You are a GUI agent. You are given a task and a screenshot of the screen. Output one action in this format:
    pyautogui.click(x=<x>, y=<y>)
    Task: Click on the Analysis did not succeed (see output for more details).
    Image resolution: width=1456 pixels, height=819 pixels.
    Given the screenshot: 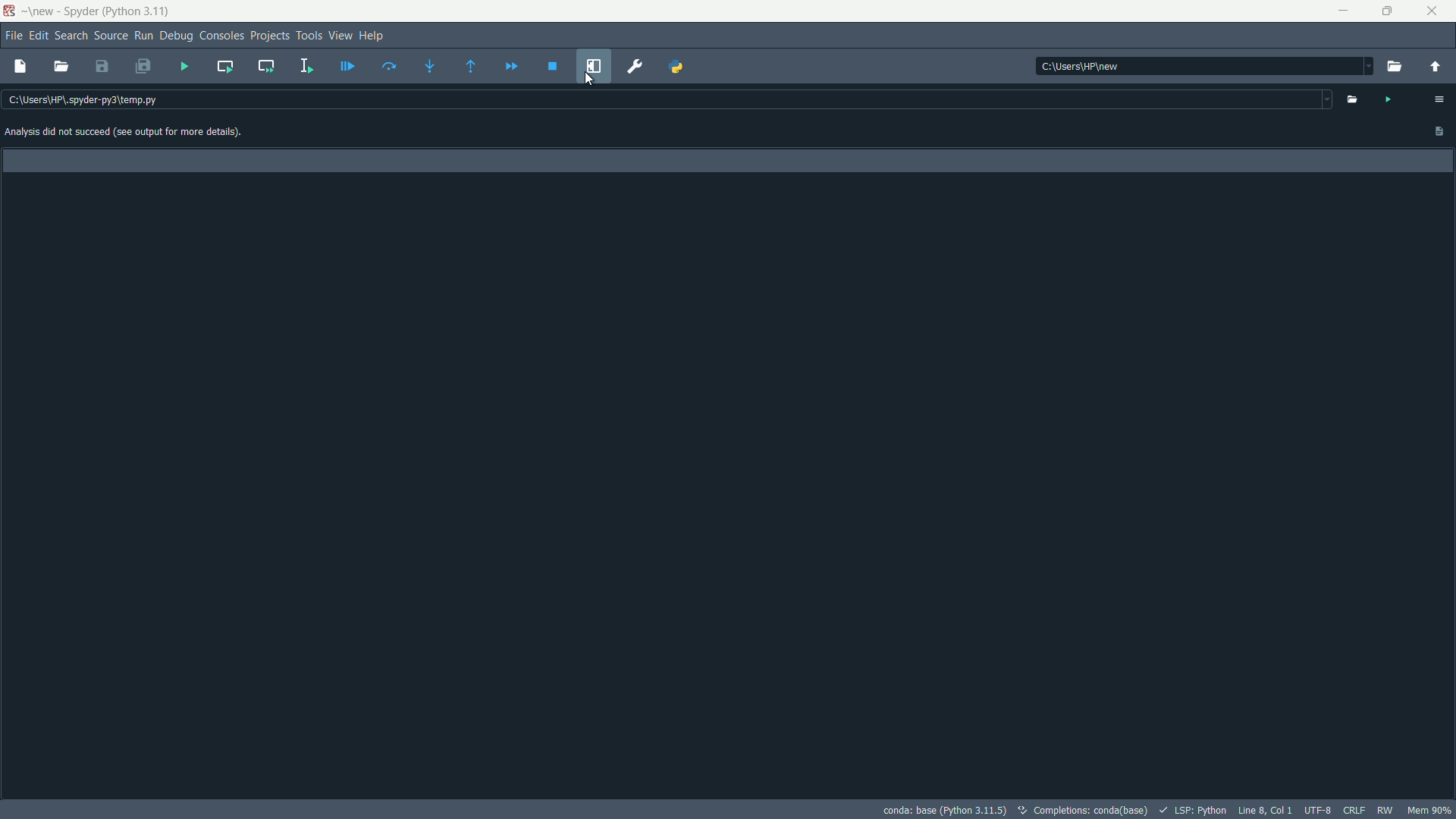 What is the action you would take?
    pyautogui.click(x=140, y=133)
    